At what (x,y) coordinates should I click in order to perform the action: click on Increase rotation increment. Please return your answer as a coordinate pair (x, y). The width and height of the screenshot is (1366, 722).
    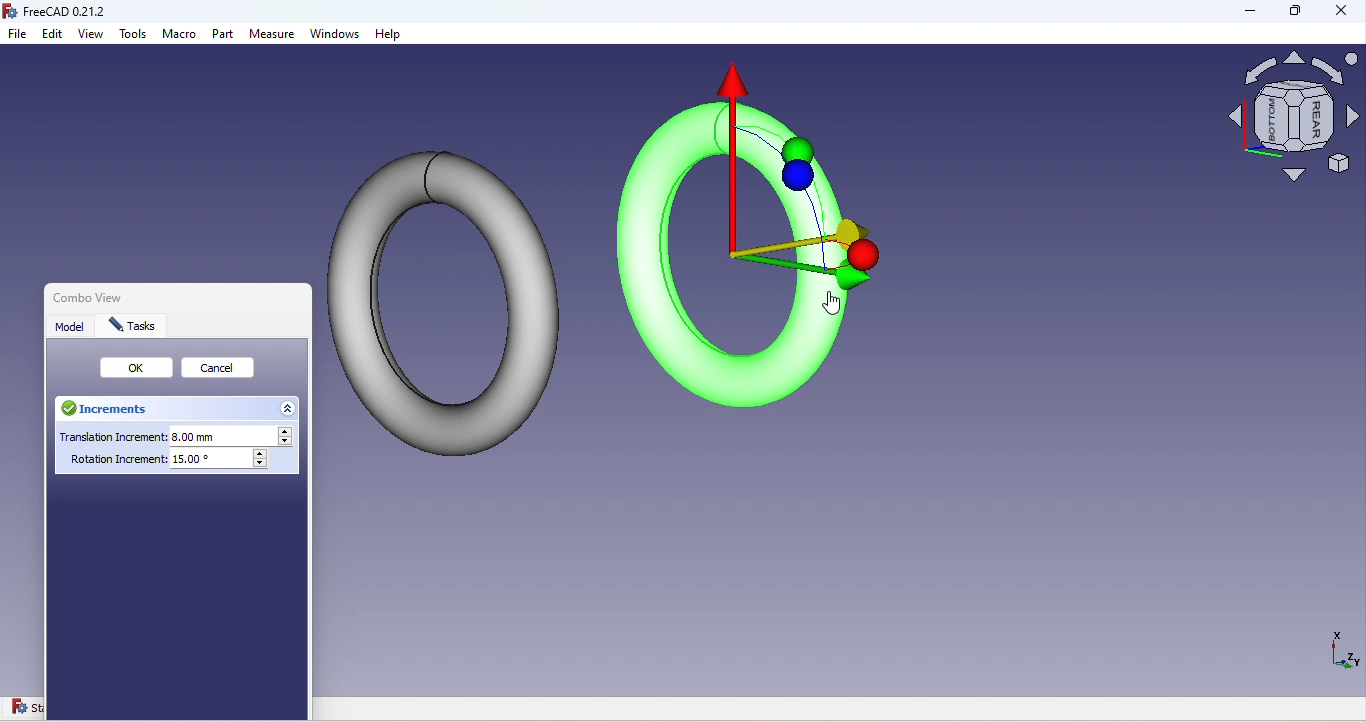
    Looking at the image, I should click on (261, 453).